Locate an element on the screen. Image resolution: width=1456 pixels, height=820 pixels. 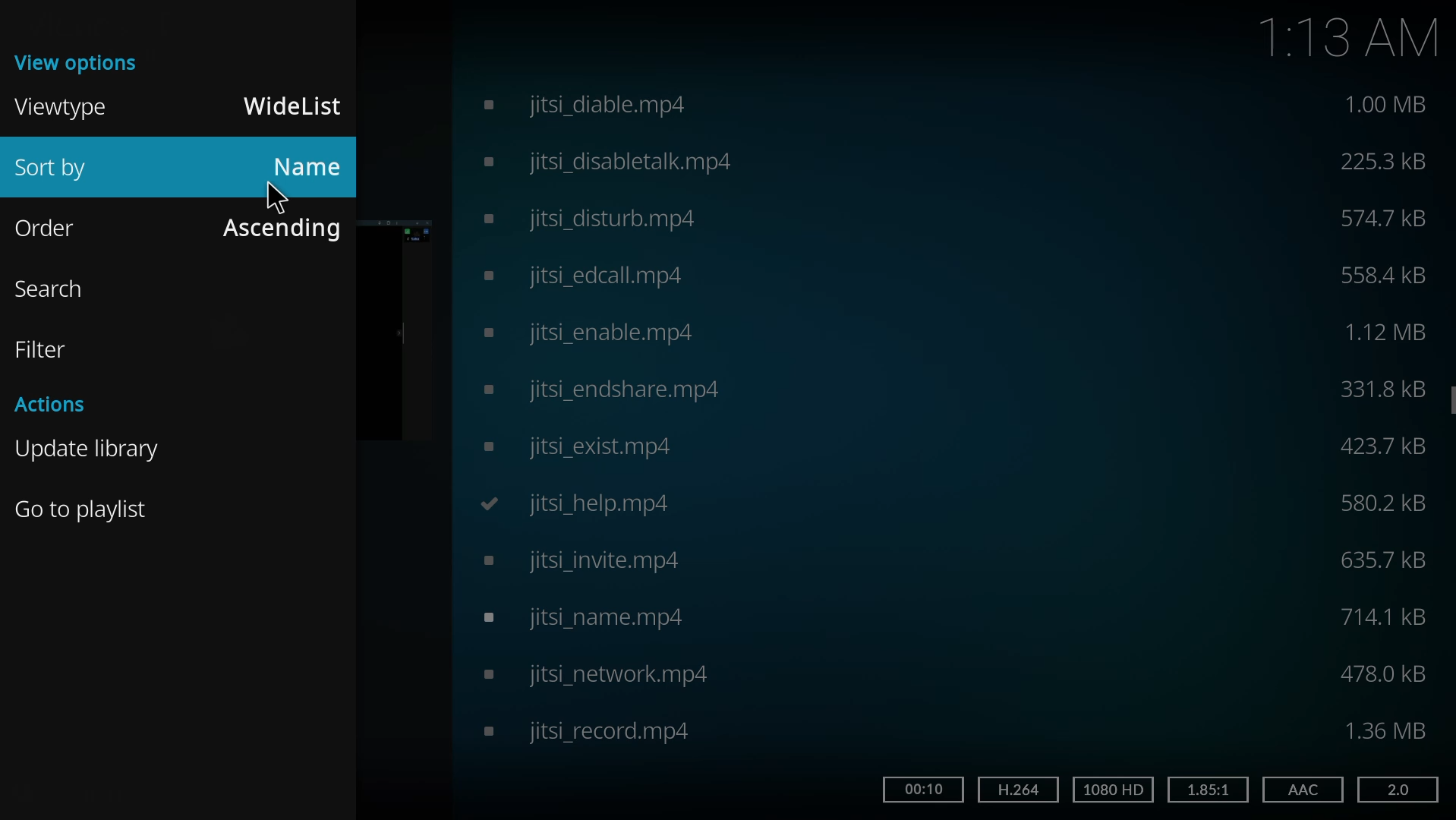
video is located at coordinates (572, 503).